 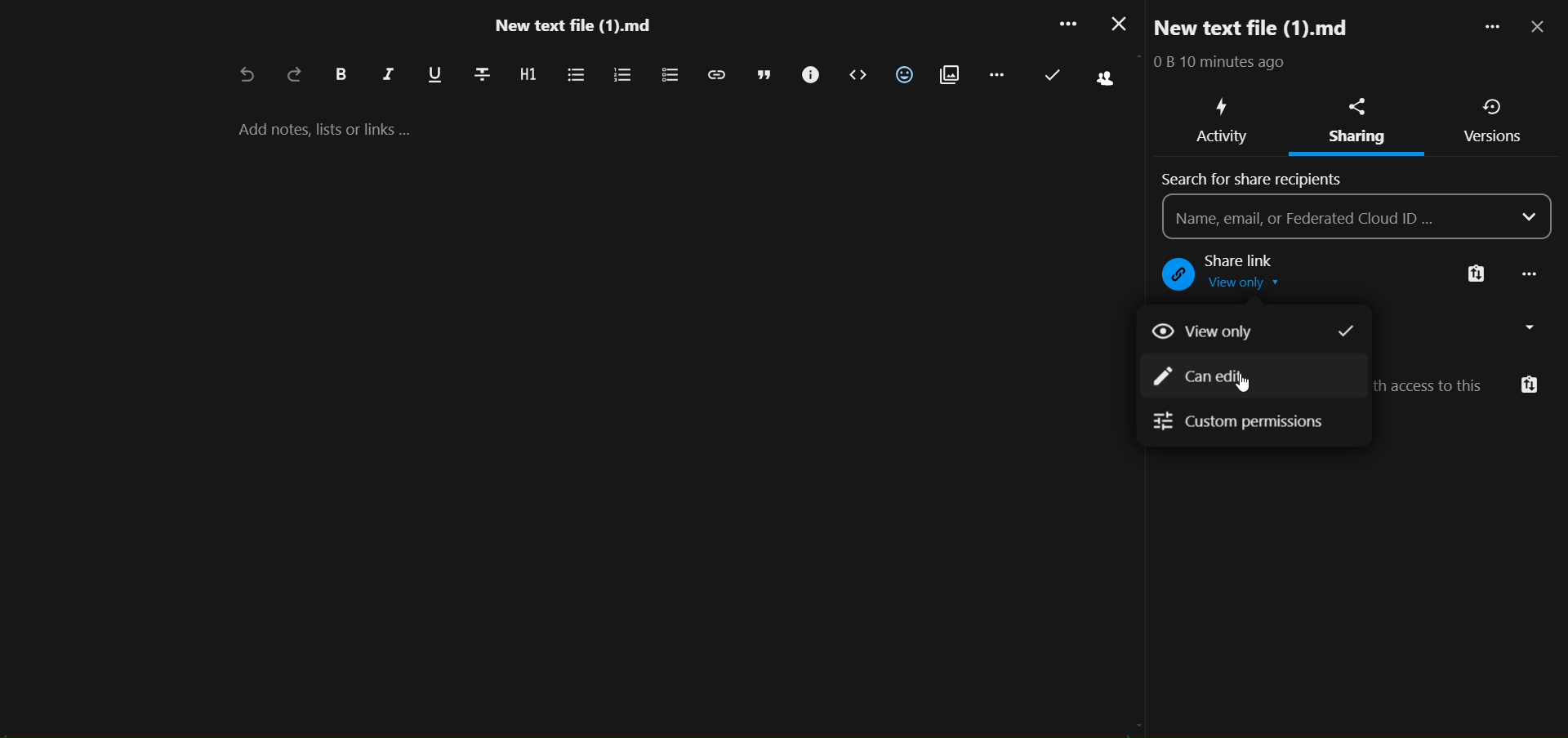 What do you see at coordinates (1250, 330) in the screenshot?
I see `view only` at bounding box center [1250, 330].